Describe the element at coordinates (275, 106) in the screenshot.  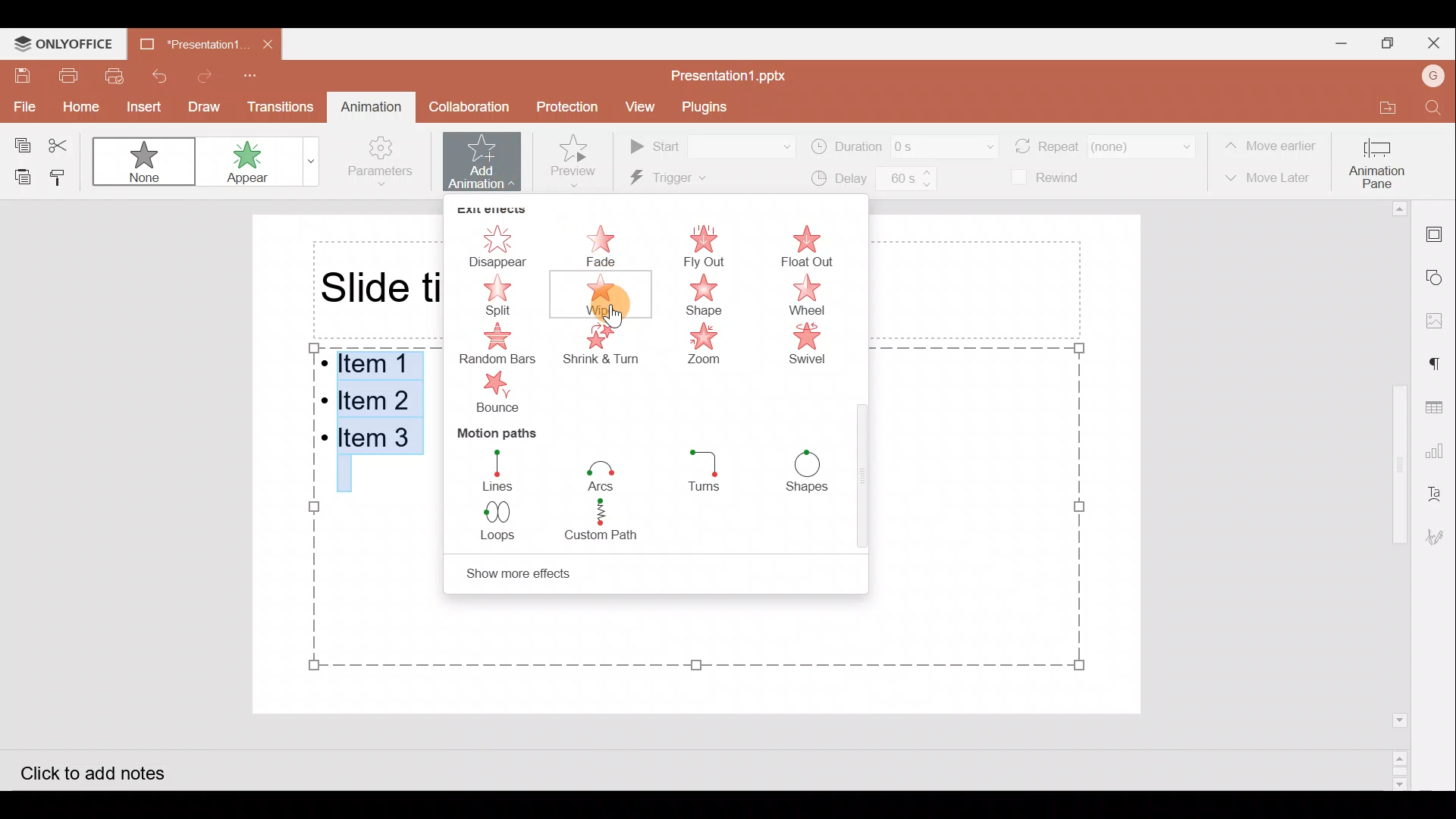
I see `Transitions` at that location.